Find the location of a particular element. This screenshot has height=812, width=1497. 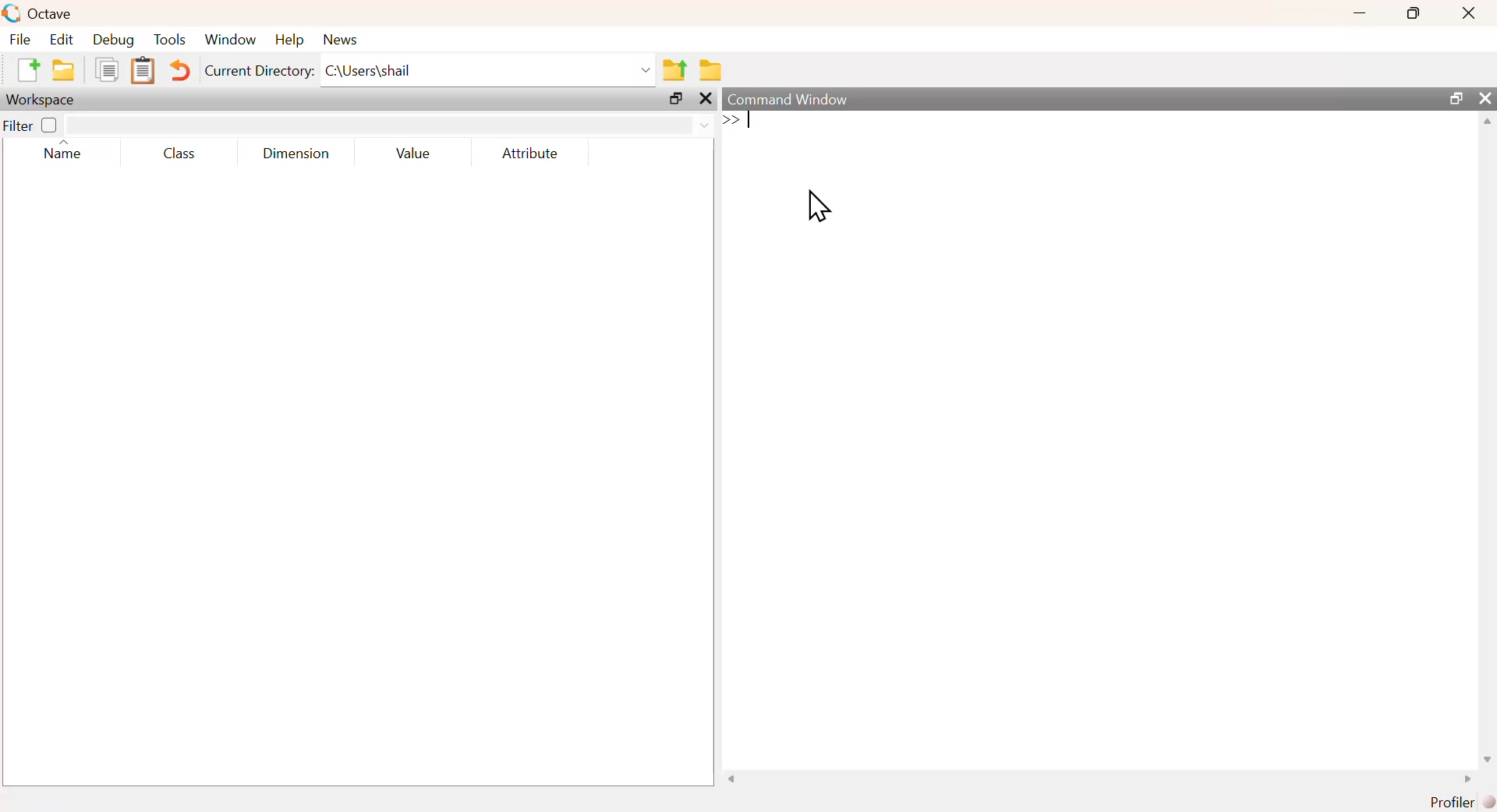

Folder is located at coordinates (708, 71).